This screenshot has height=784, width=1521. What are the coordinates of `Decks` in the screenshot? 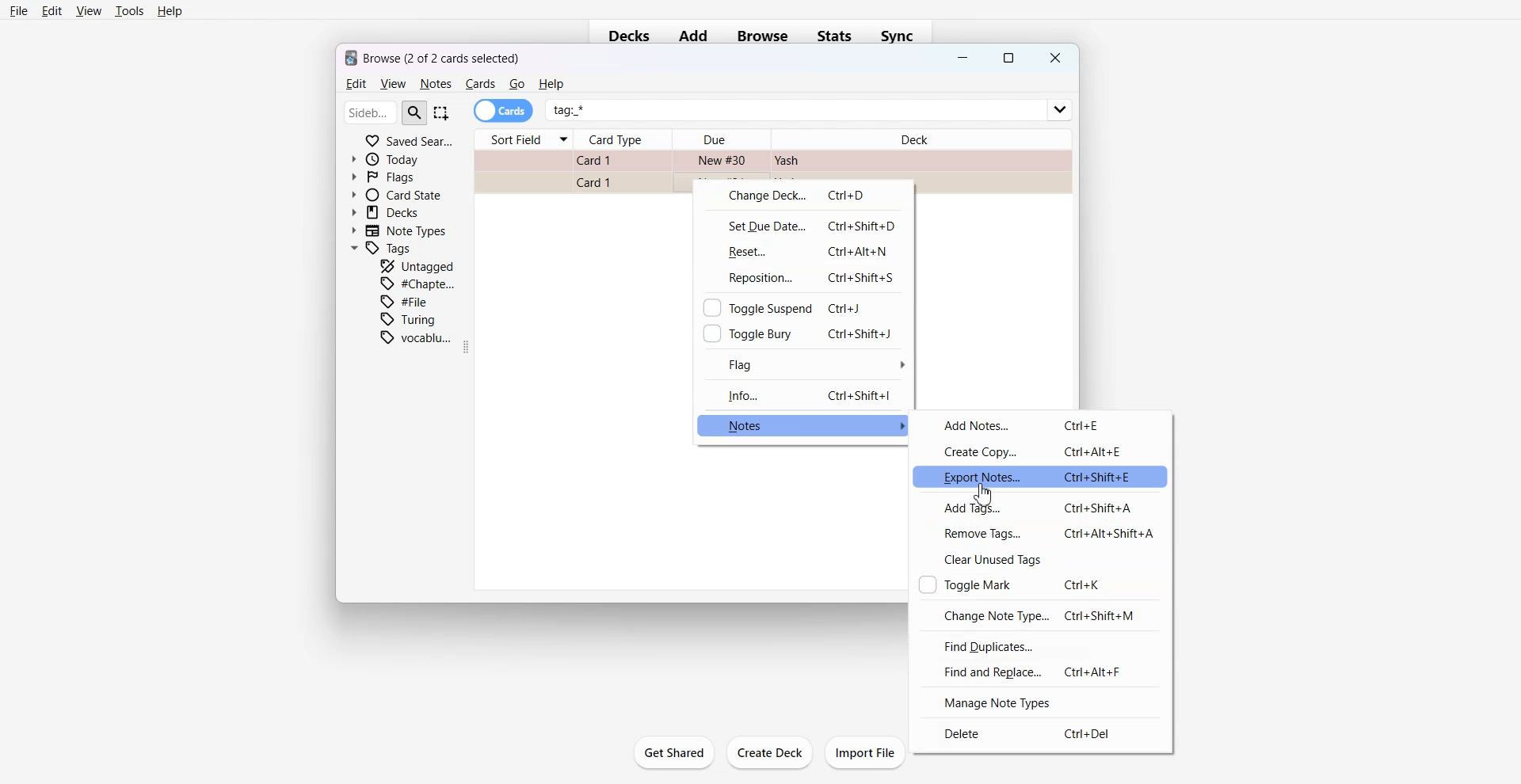 It's located at (387, 212).